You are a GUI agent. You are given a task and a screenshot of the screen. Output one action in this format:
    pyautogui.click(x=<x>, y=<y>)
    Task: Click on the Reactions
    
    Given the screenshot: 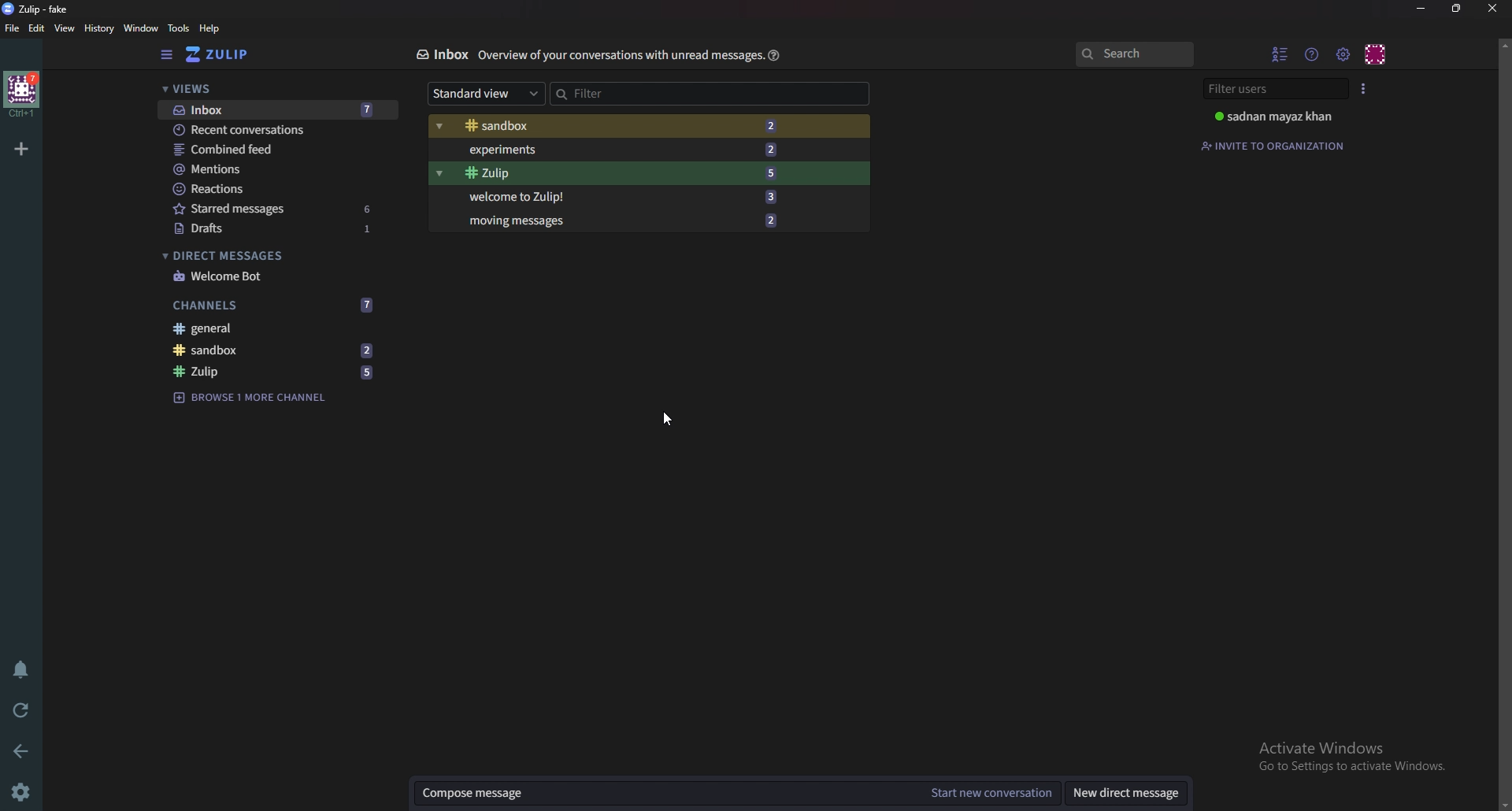 What is the action you would take?
    pyautogui.click(x=274, y=188)
    